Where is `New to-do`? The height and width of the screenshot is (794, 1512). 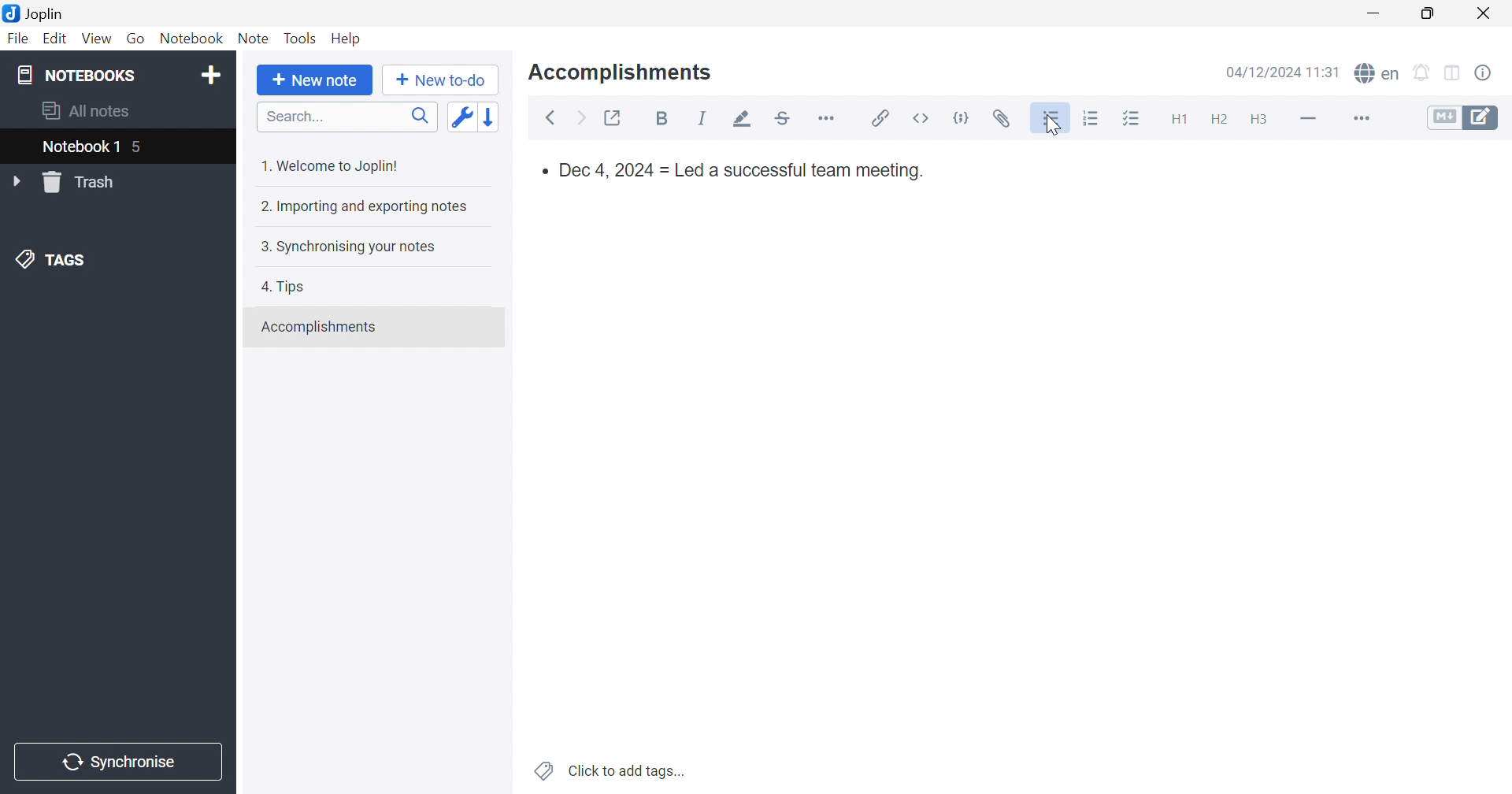 New to-do is located at coordinates (439, 78).